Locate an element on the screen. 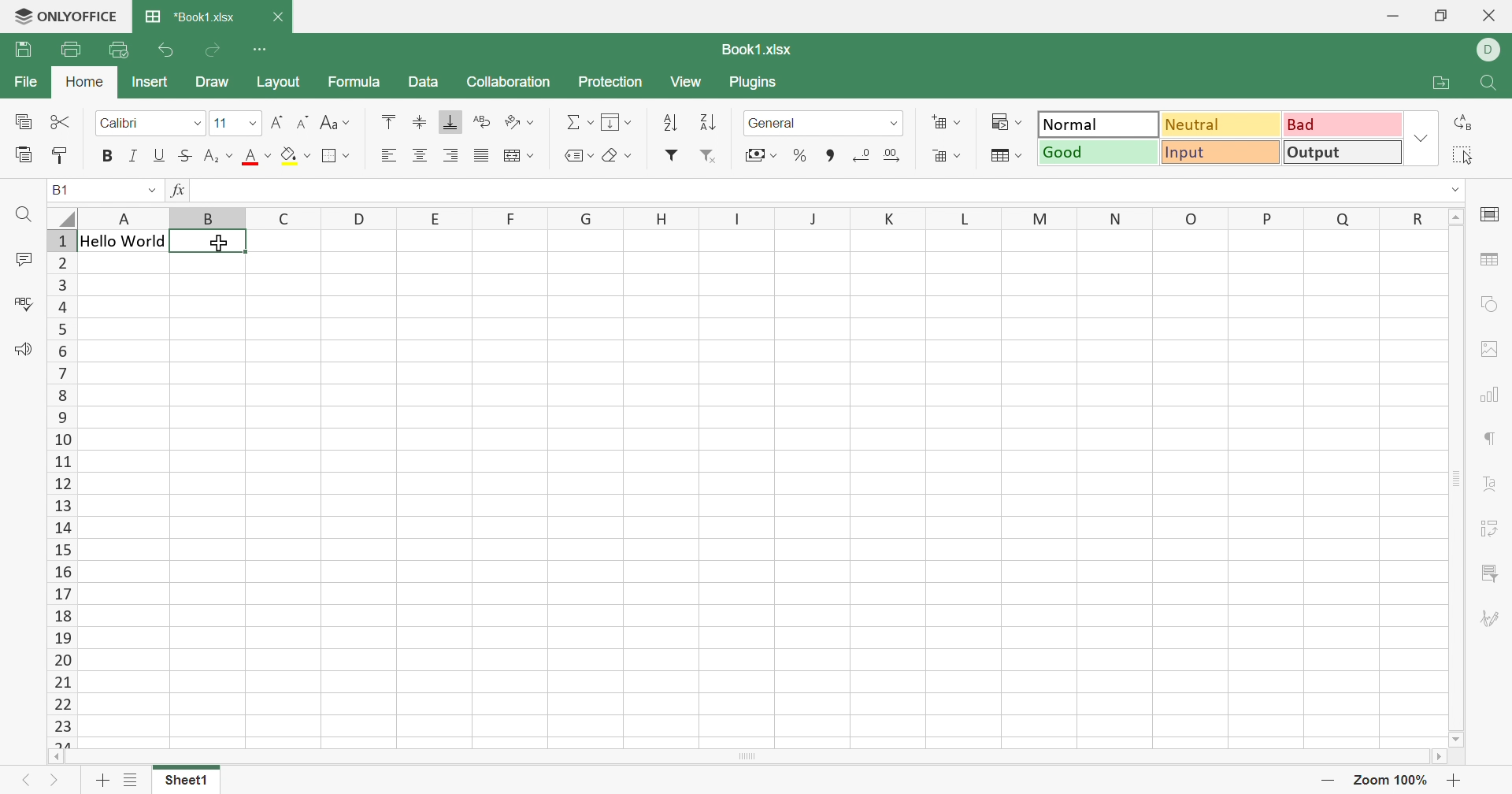  Zoom out is located at coordinates (1328, 781).